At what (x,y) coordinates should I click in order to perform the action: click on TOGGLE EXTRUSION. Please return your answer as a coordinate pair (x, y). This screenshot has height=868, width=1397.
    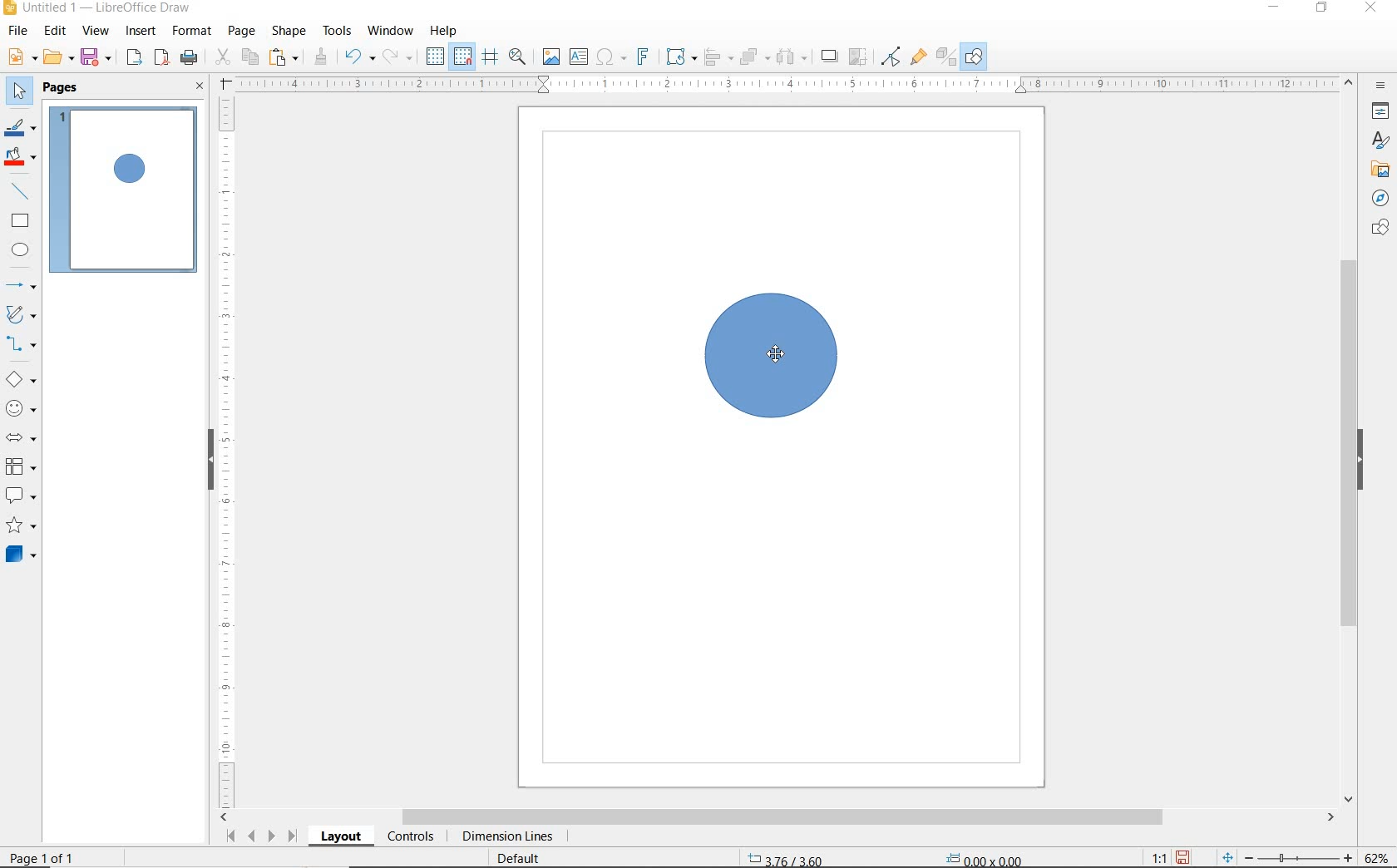
    Looking at the image, I should click on (945, 58).